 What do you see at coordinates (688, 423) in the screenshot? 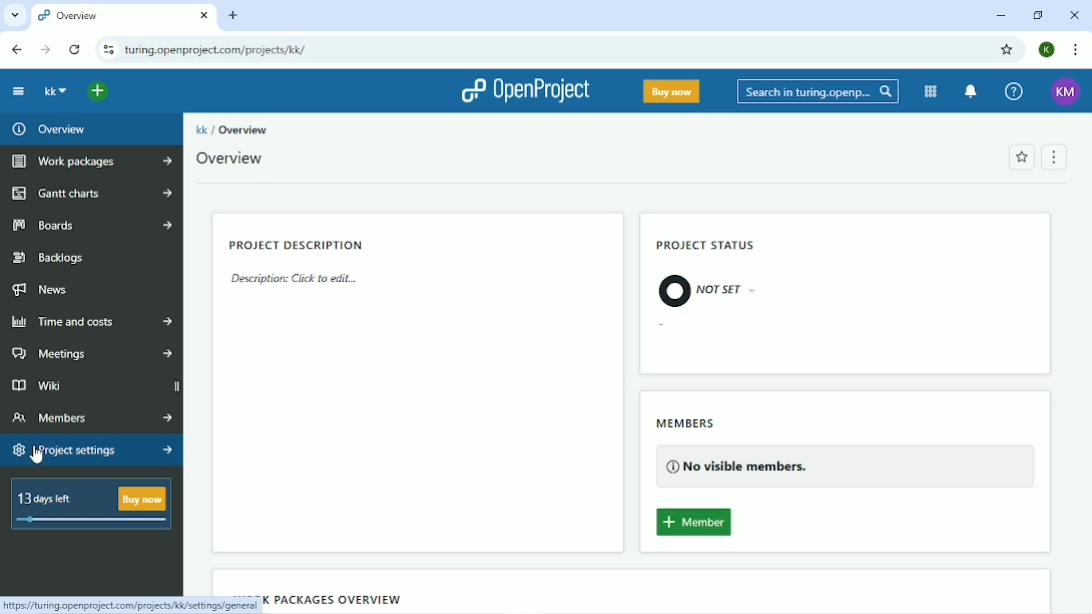
I see `MEMBERS` at bounding box center [688, 423].